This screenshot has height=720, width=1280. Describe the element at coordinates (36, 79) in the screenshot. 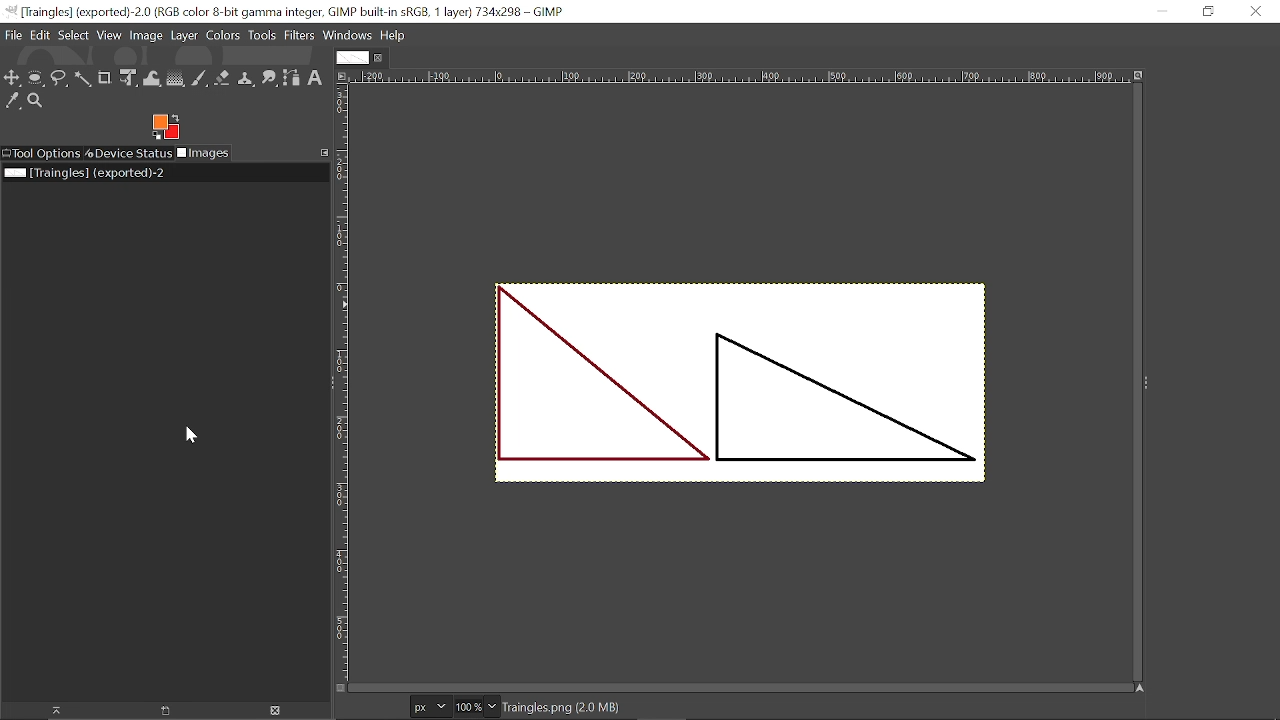

I see `Ellipse select tool` at that location.